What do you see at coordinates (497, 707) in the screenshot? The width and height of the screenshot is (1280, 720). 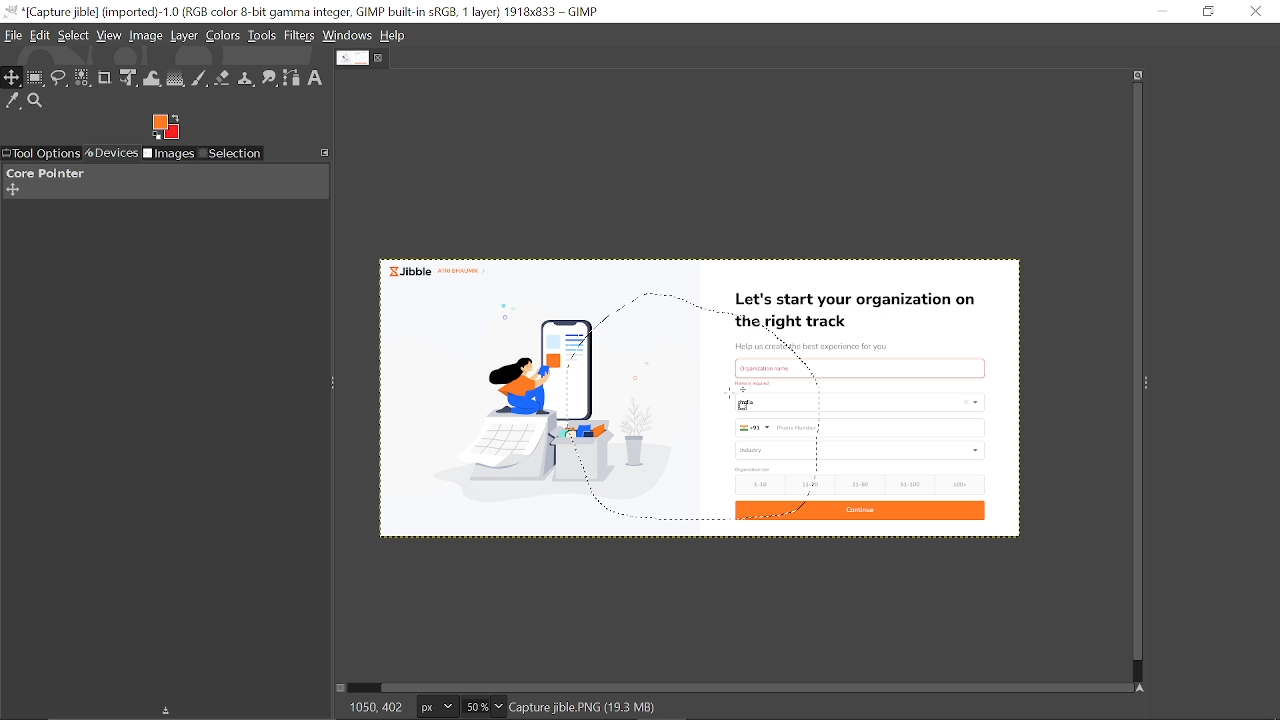 I see `Zoom options` at bounding box center [497, 707].